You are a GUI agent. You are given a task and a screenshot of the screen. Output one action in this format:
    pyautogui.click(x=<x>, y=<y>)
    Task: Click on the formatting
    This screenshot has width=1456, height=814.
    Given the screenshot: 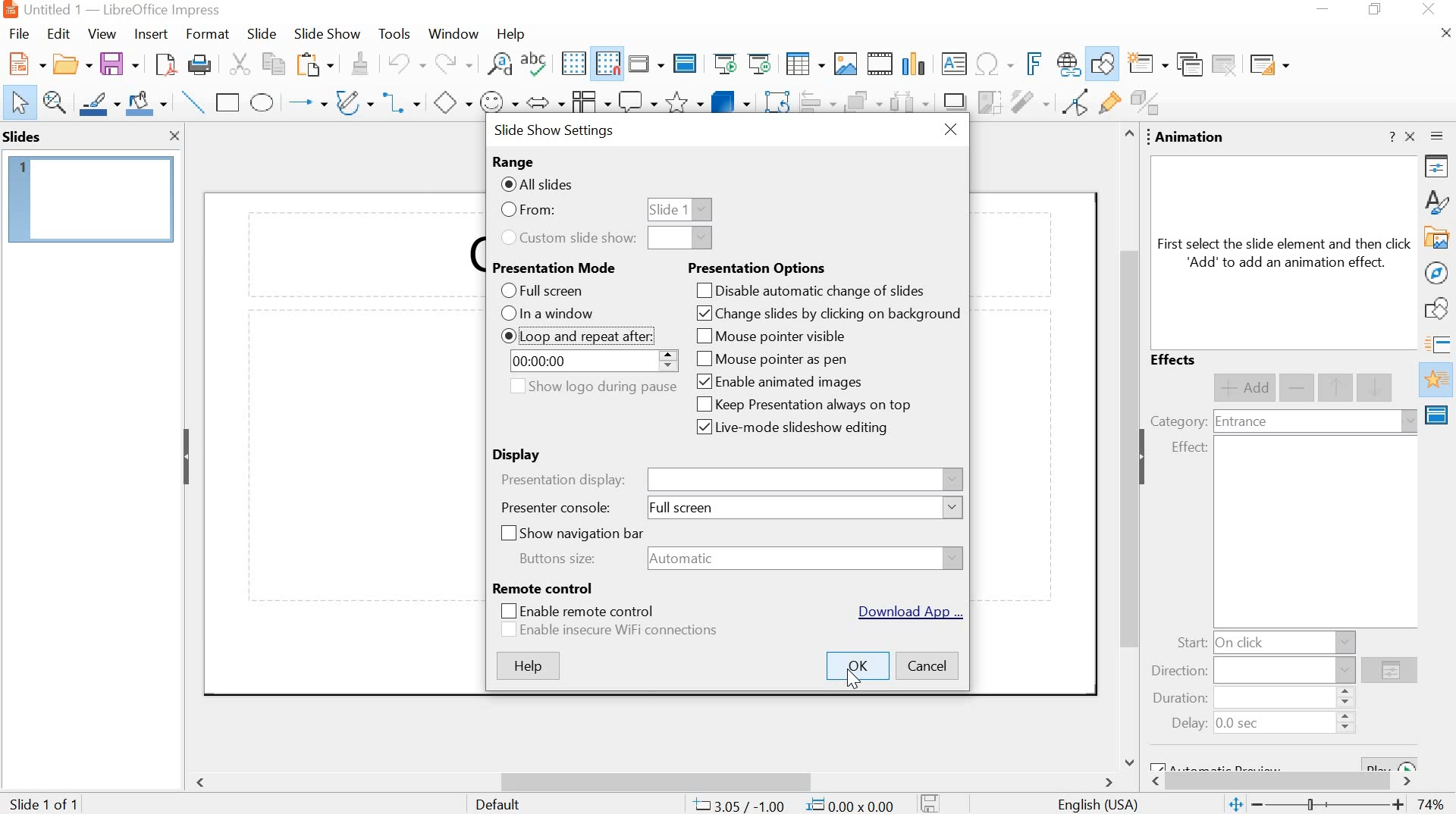 What is the action you would take?
    pyautogui.click(x=358, y=64)
    